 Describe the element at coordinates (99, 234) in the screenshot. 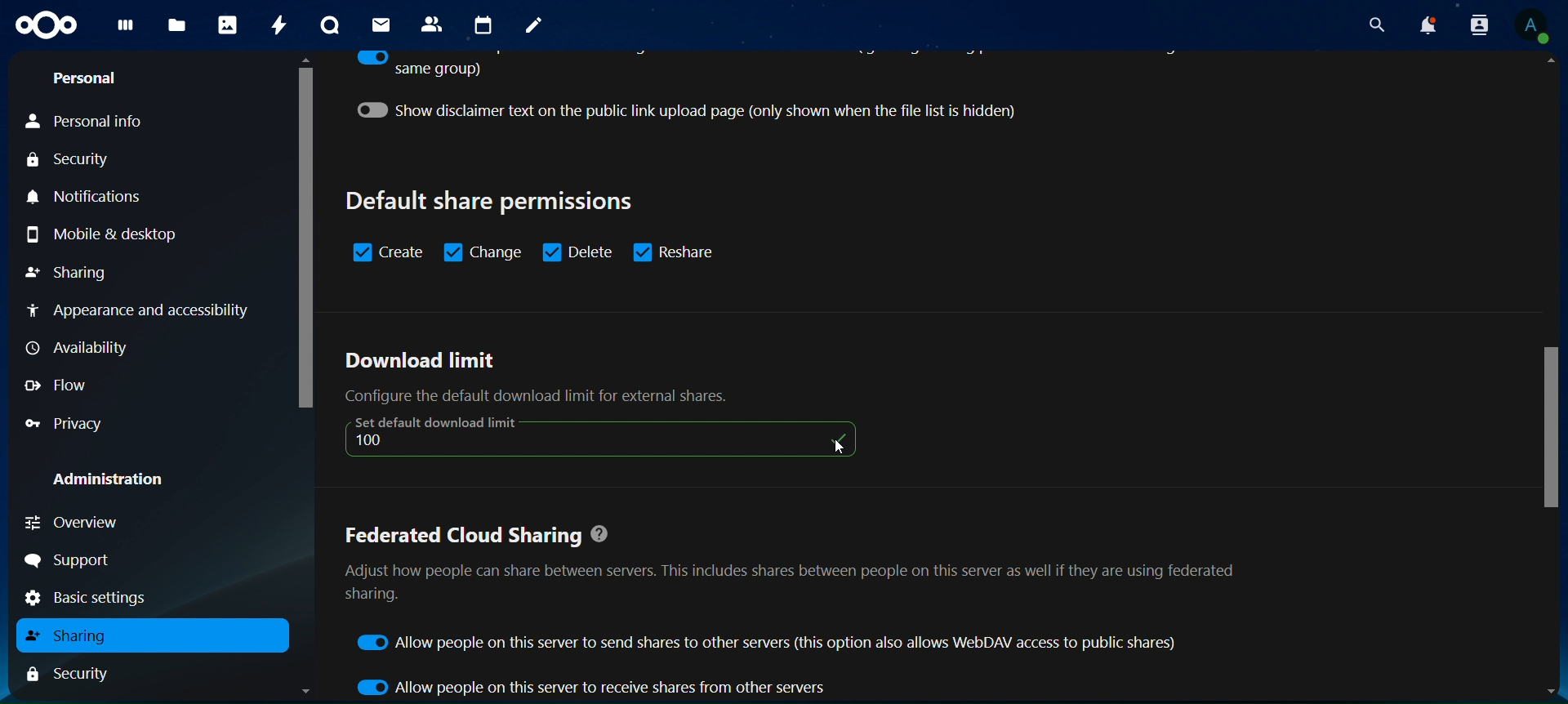

I see `mobile & desktop` at that location.